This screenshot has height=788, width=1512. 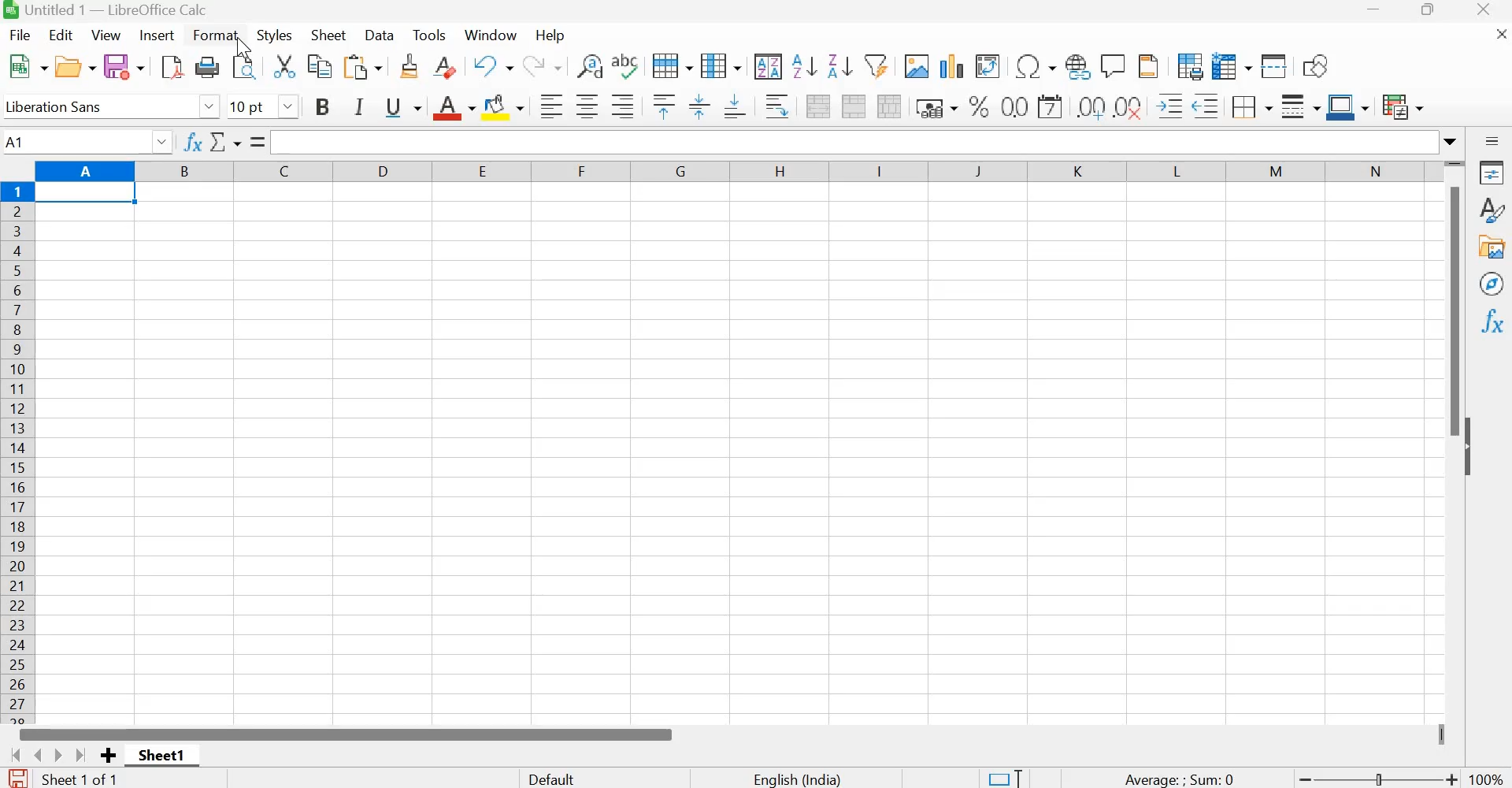 What do you see at coordinates (1492, 284) in the screenshot?
I see `Navigator` at bounding box center [1492, 284].